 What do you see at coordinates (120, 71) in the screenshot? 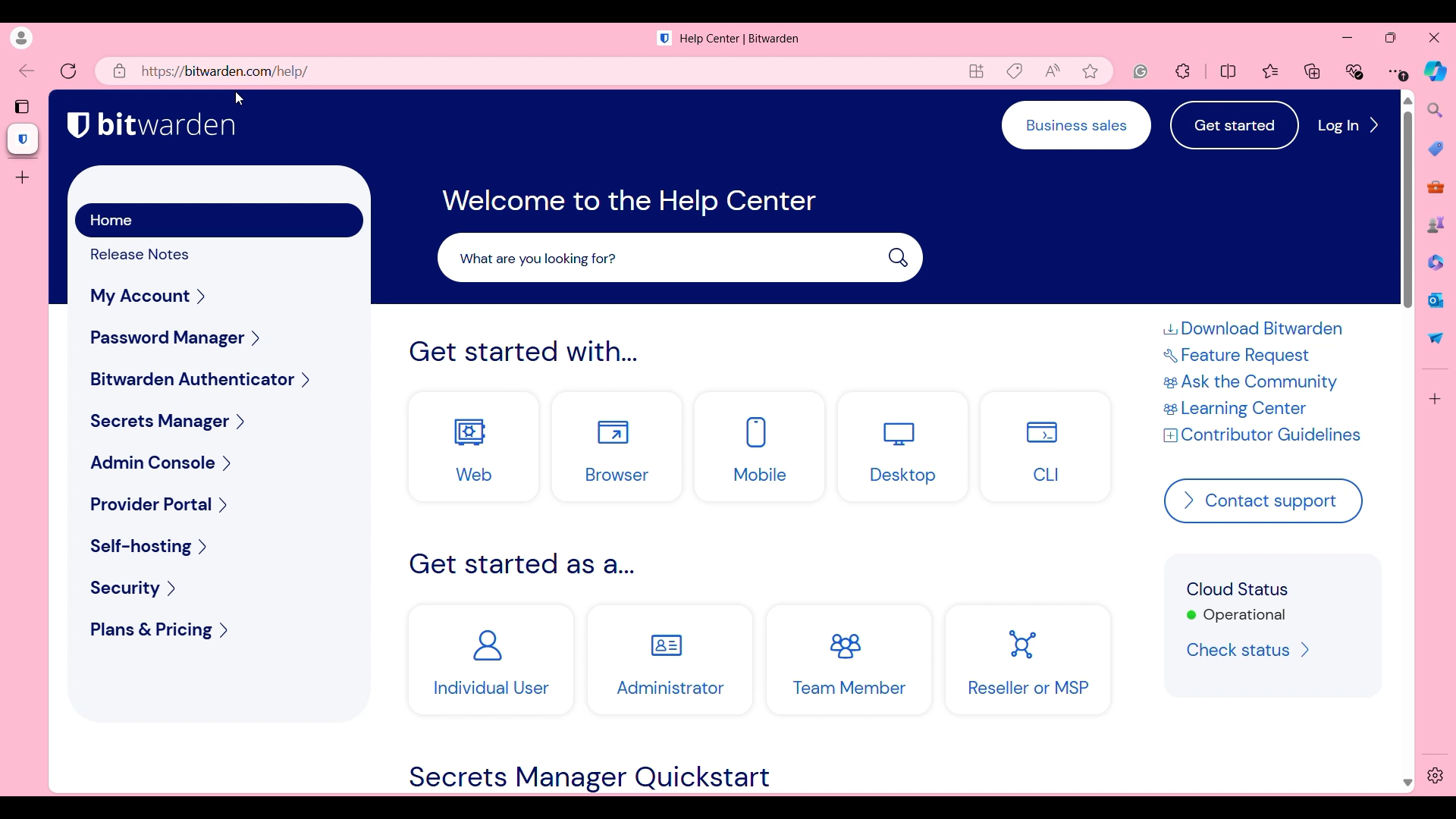
I see `Page information` at bounding box center [120, 71].